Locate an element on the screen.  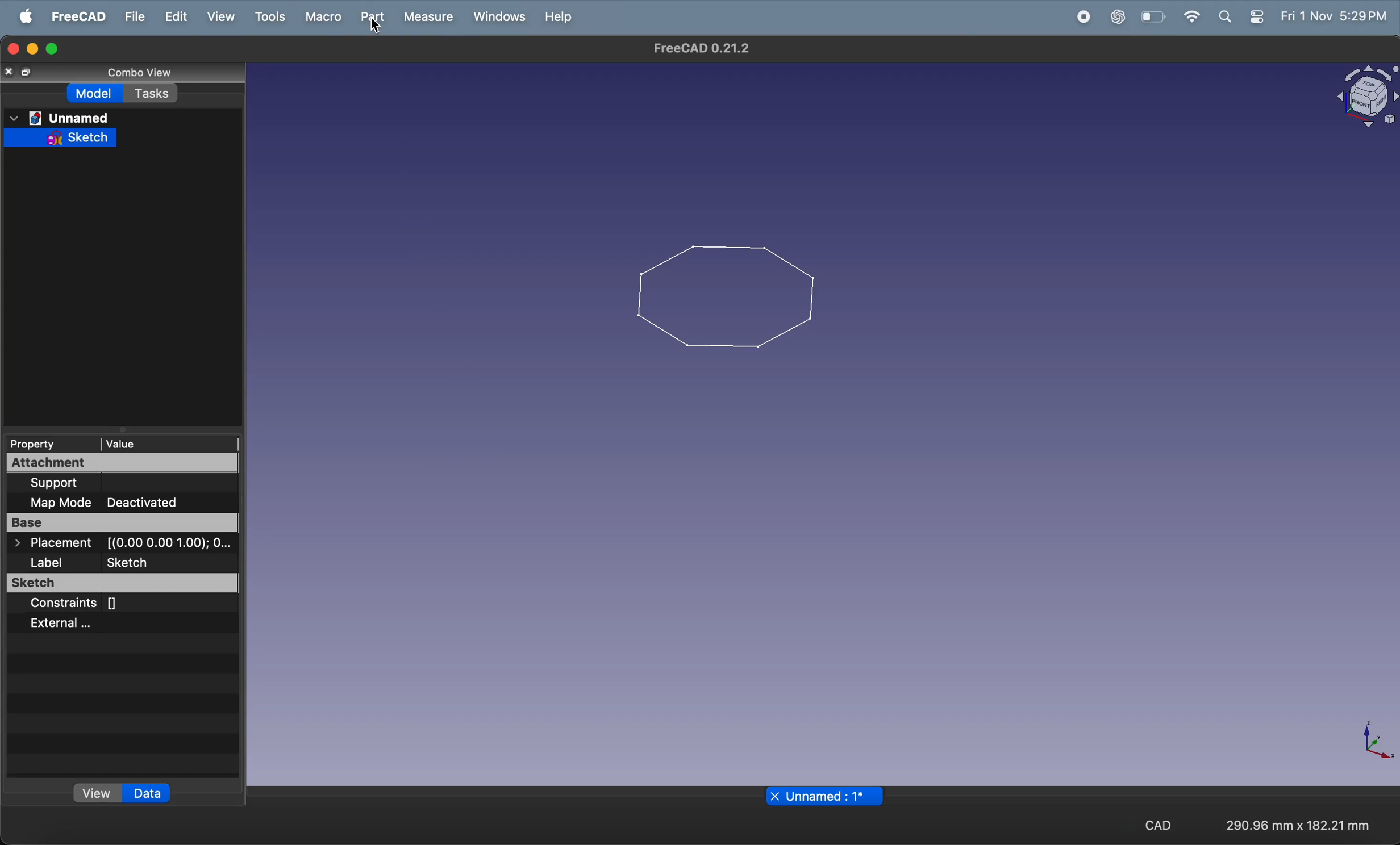
unnamed is located at coordinates (60, 115).